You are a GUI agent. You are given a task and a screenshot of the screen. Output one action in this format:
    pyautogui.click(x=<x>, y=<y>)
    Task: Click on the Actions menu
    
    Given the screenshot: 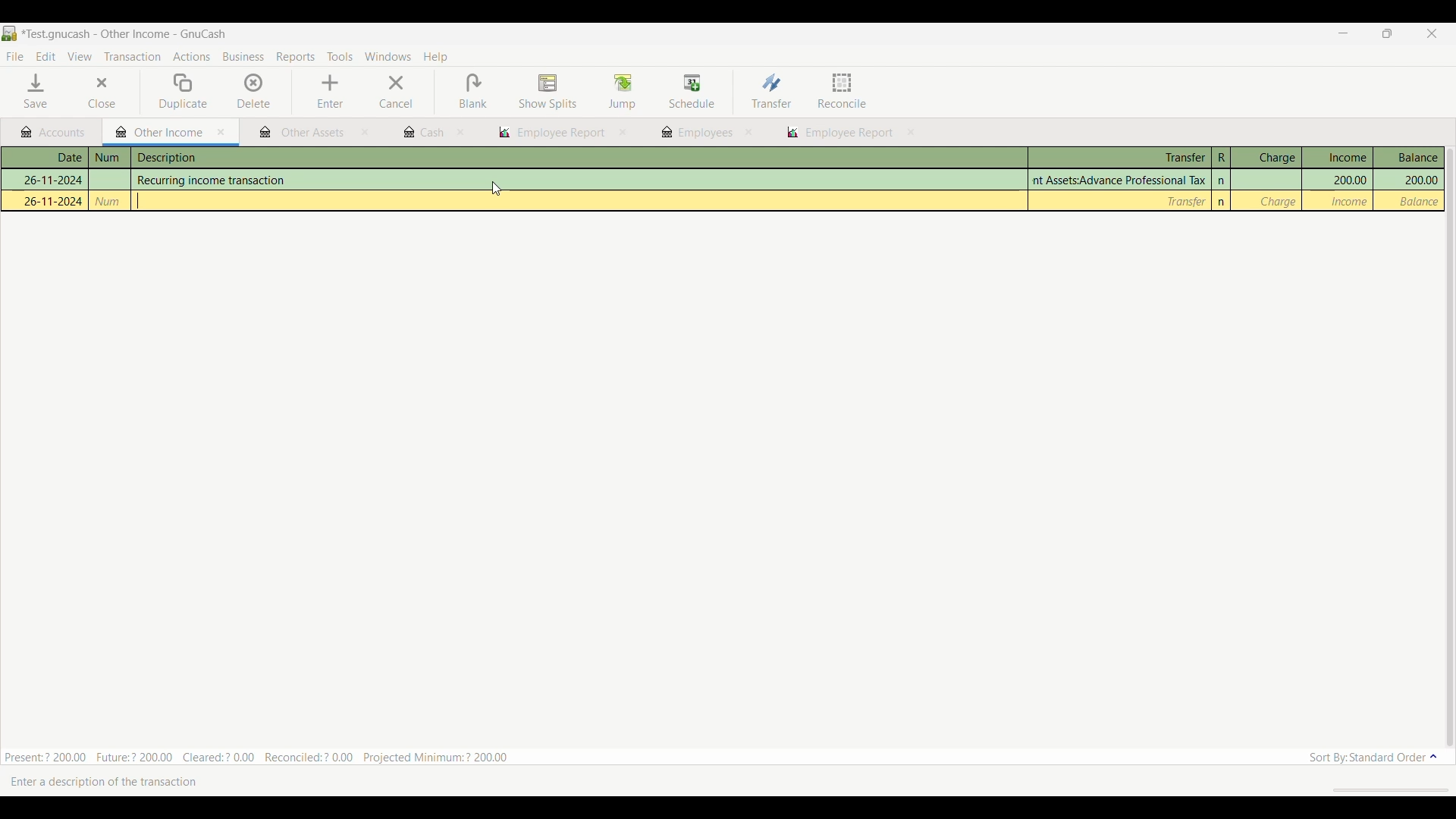 What is the action you would take?
    pyautogui.click(x=191, y=58)
    